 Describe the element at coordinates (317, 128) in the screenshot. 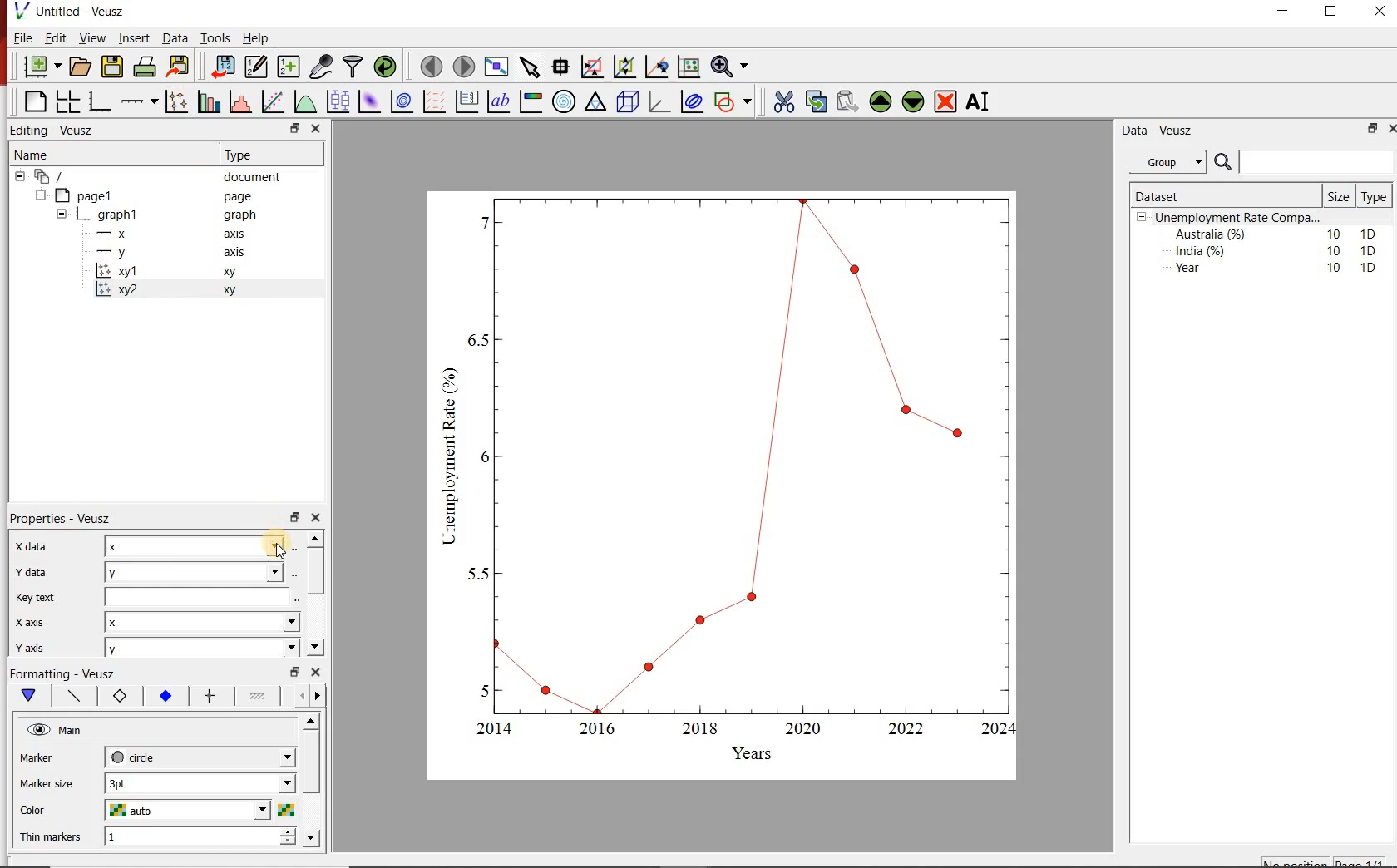

I see `close` at that location.